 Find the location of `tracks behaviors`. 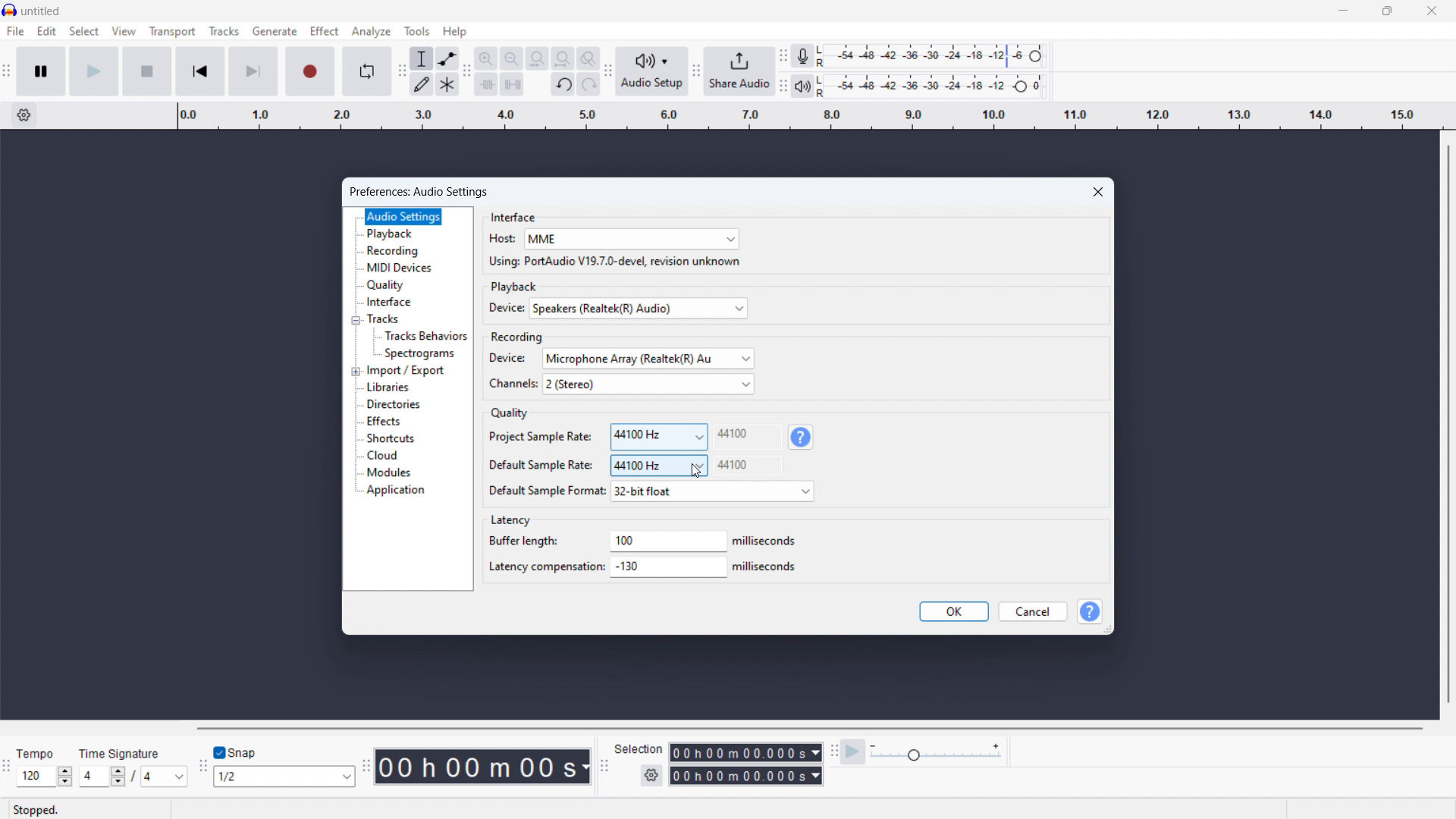

tracks behaviors is located at coordinates (425, 337).